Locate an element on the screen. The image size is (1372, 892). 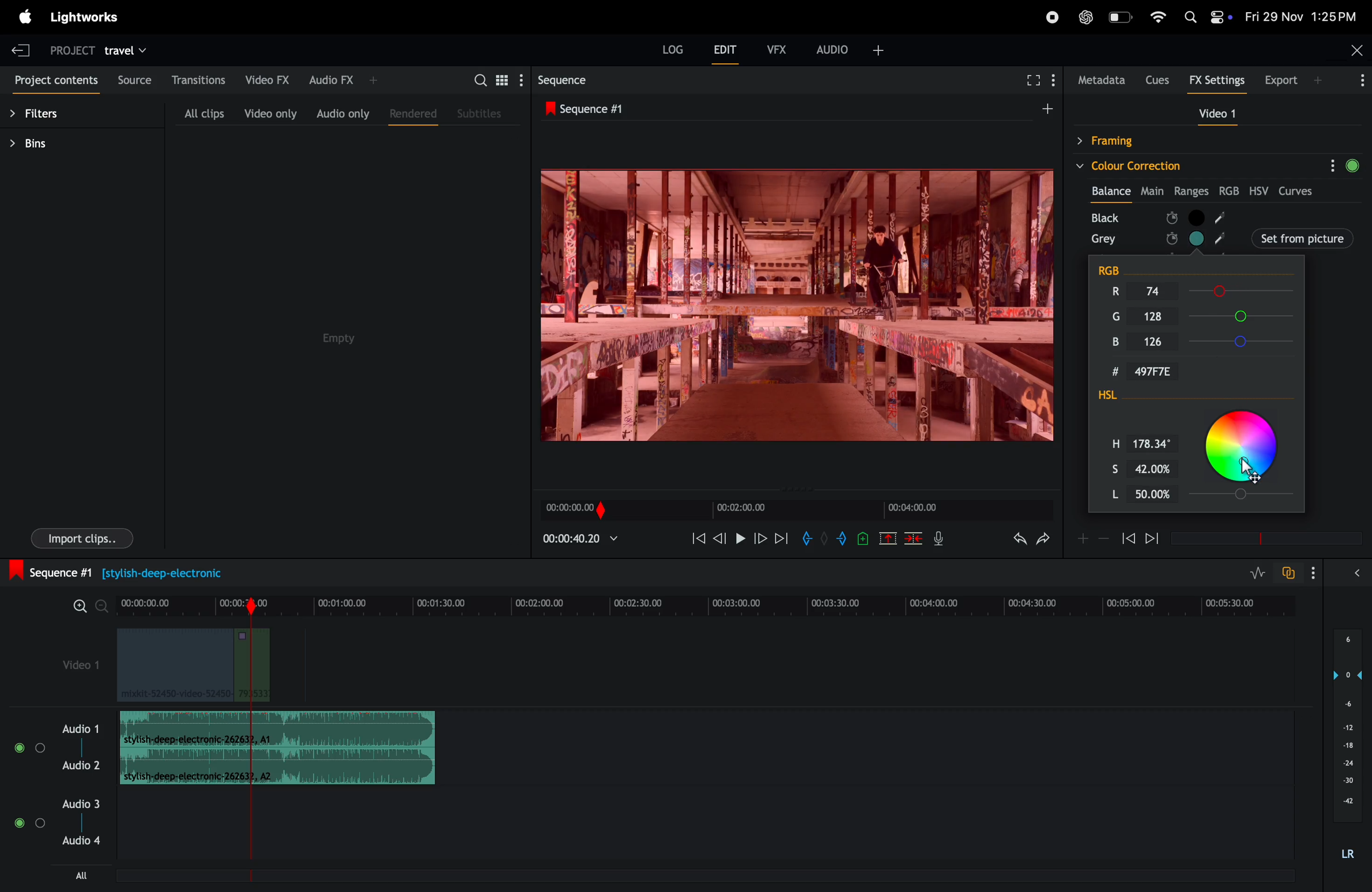
chatgpt is located at coordinates (1085, 17).